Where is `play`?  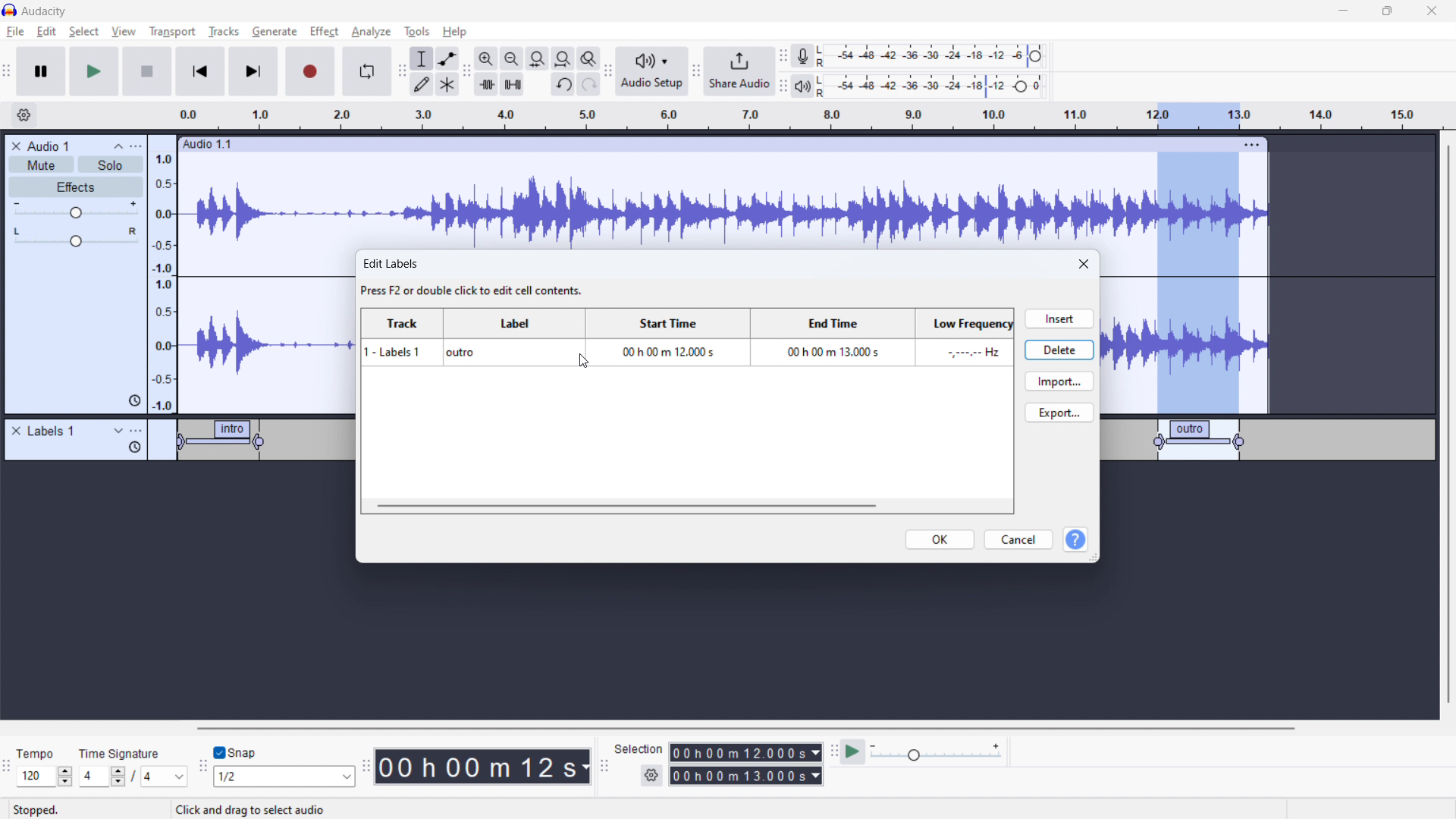 play is located at coordinates (93, 71).